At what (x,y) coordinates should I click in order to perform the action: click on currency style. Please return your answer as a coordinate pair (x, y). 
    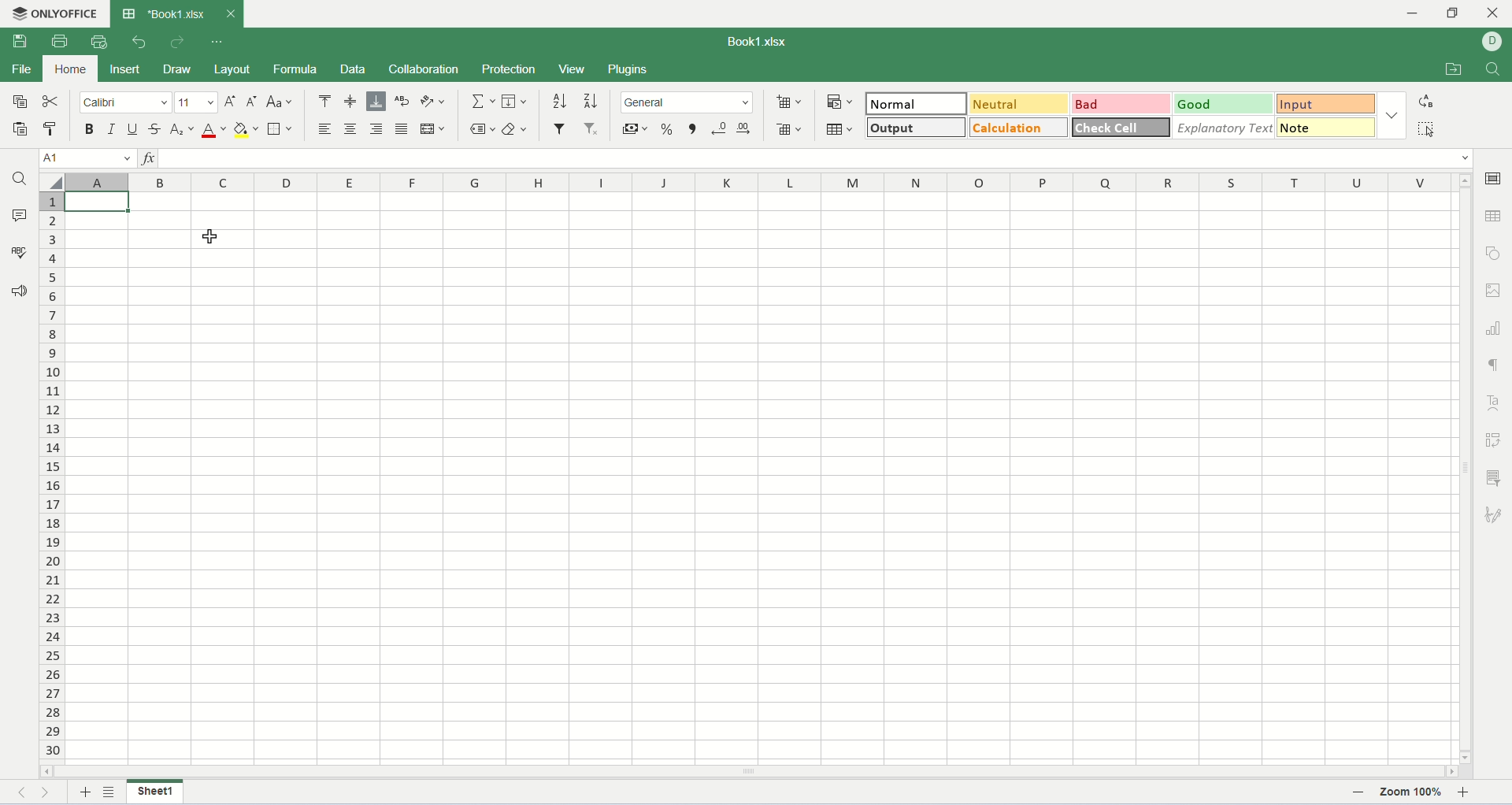
    Looking at the image, I should click on (639, 128).